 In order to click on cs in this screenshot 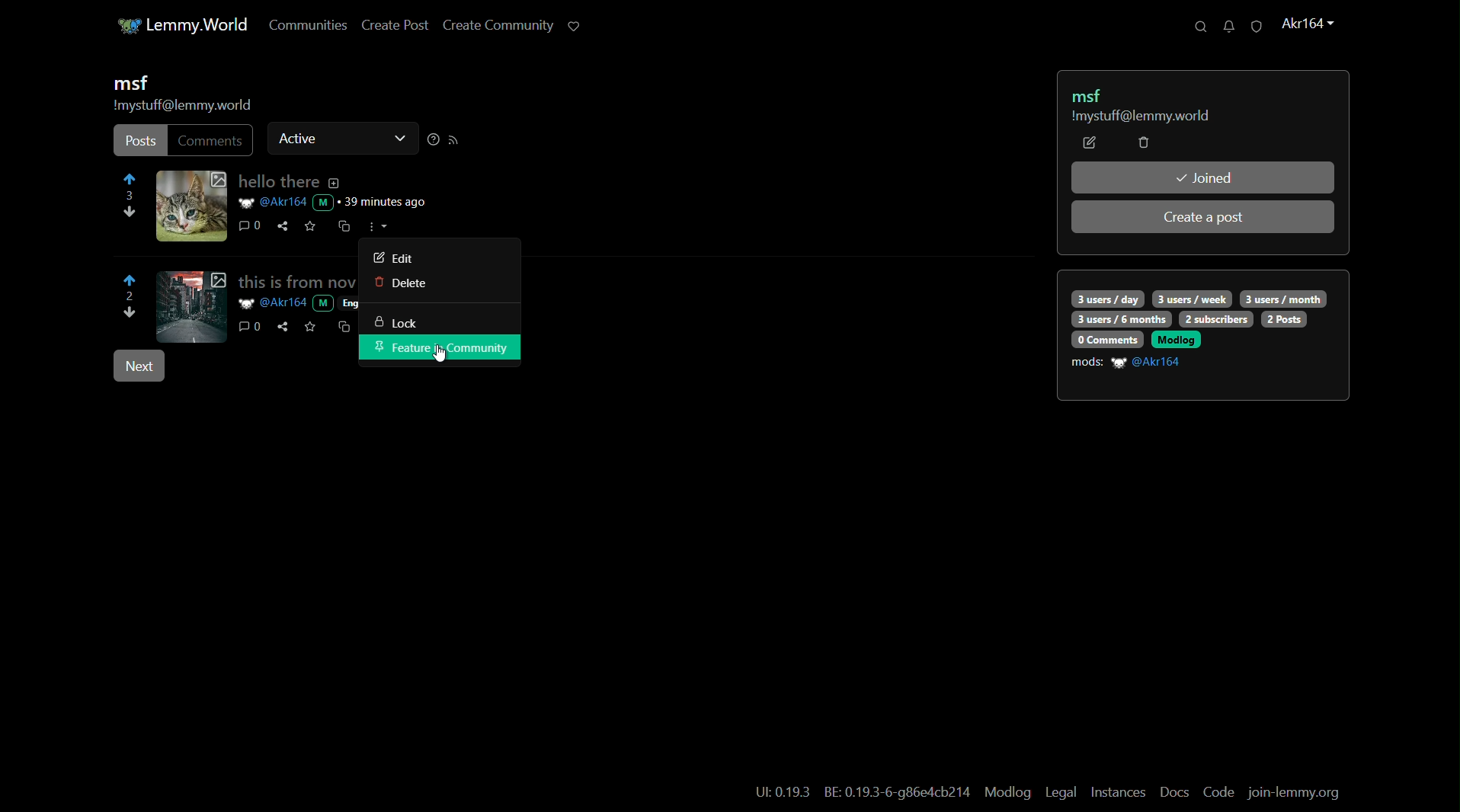, I will do `click(343, 326)`.